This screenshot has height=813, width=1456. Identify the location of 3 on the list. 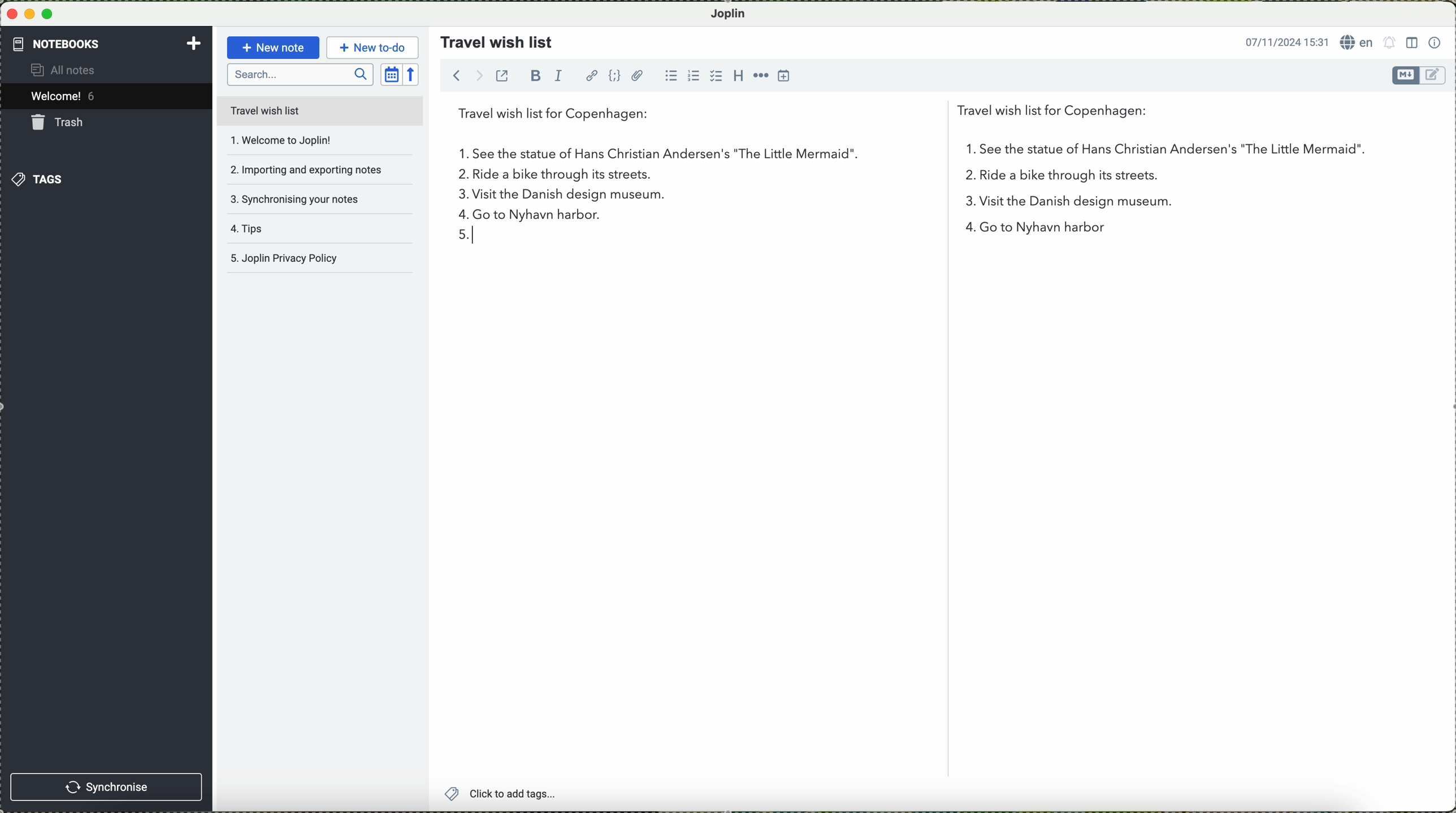
(455, 197).